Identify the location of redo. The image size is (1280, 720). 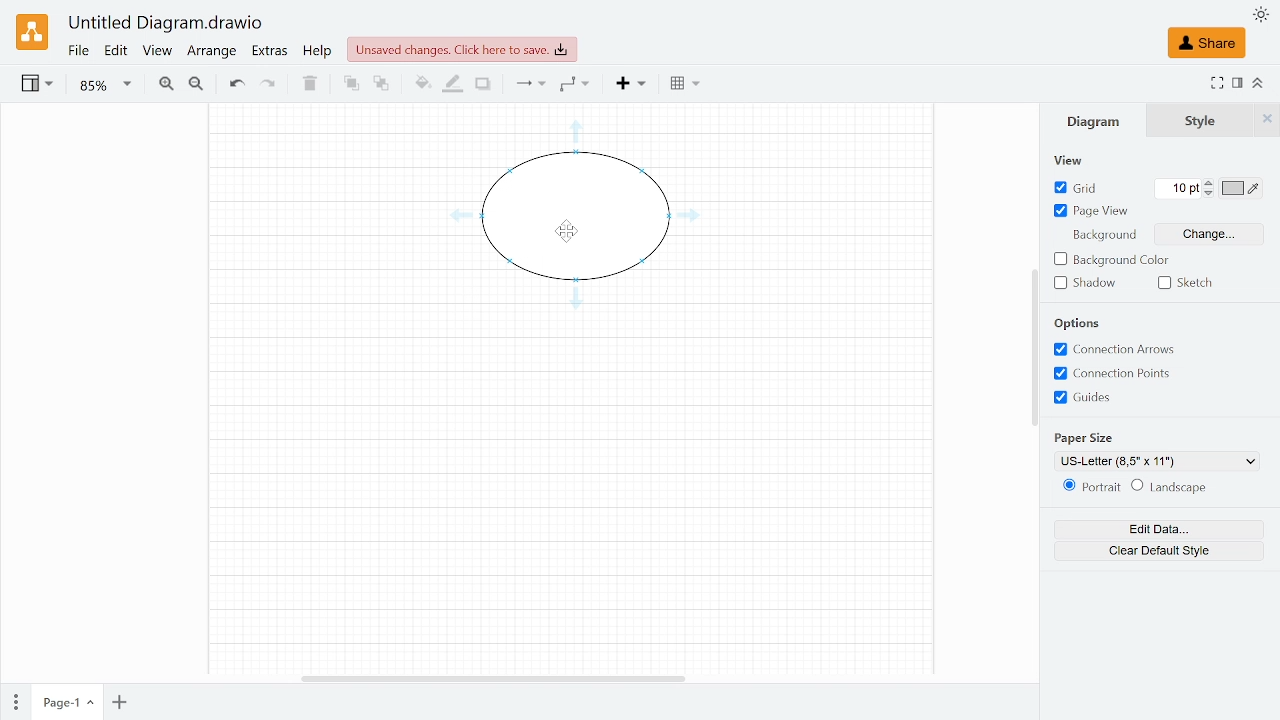
(269, 87).